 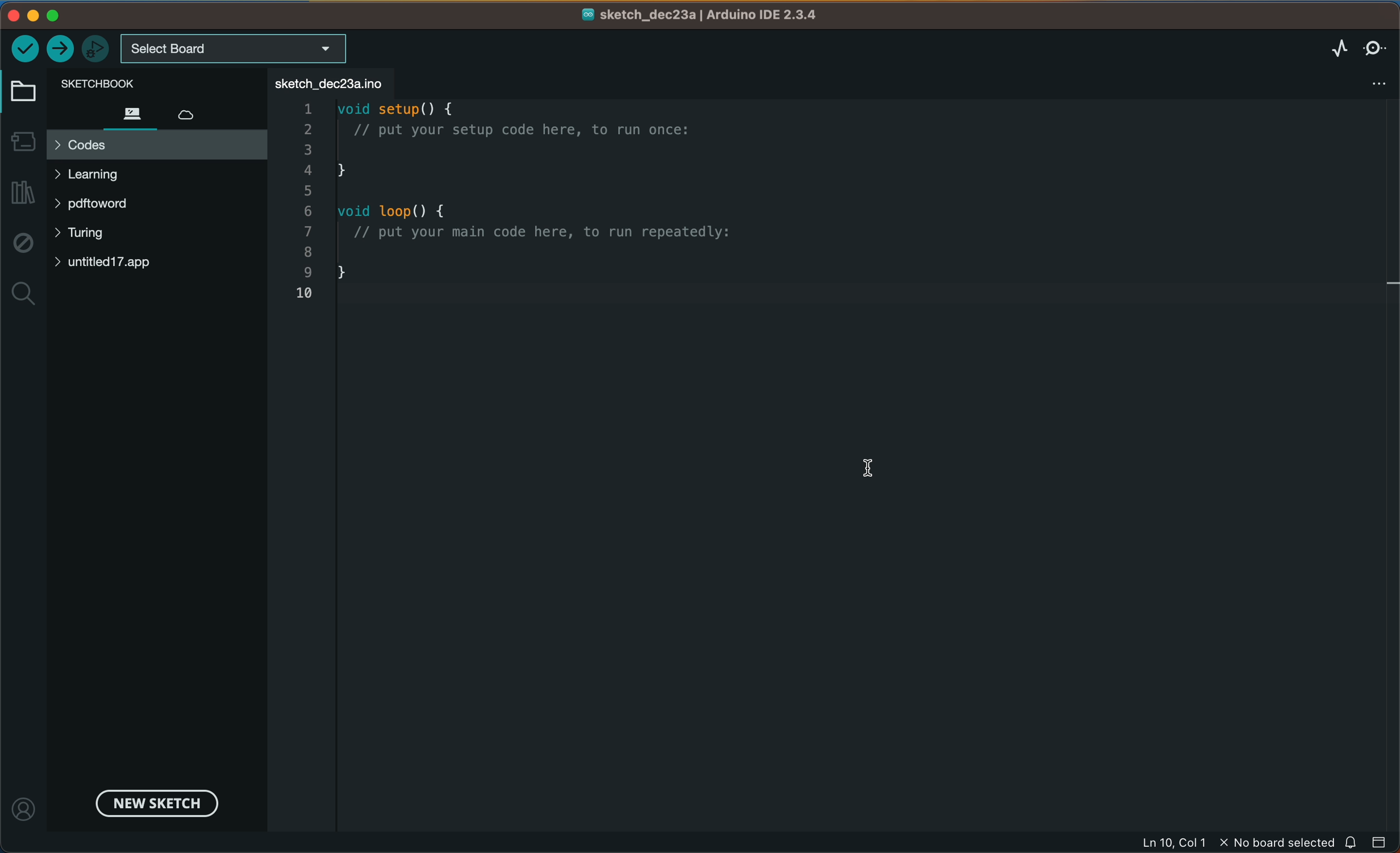 What do you see at coordinates (233, 48) in the screenshot?
I see `board selecter` at bounding box center [233, 48].